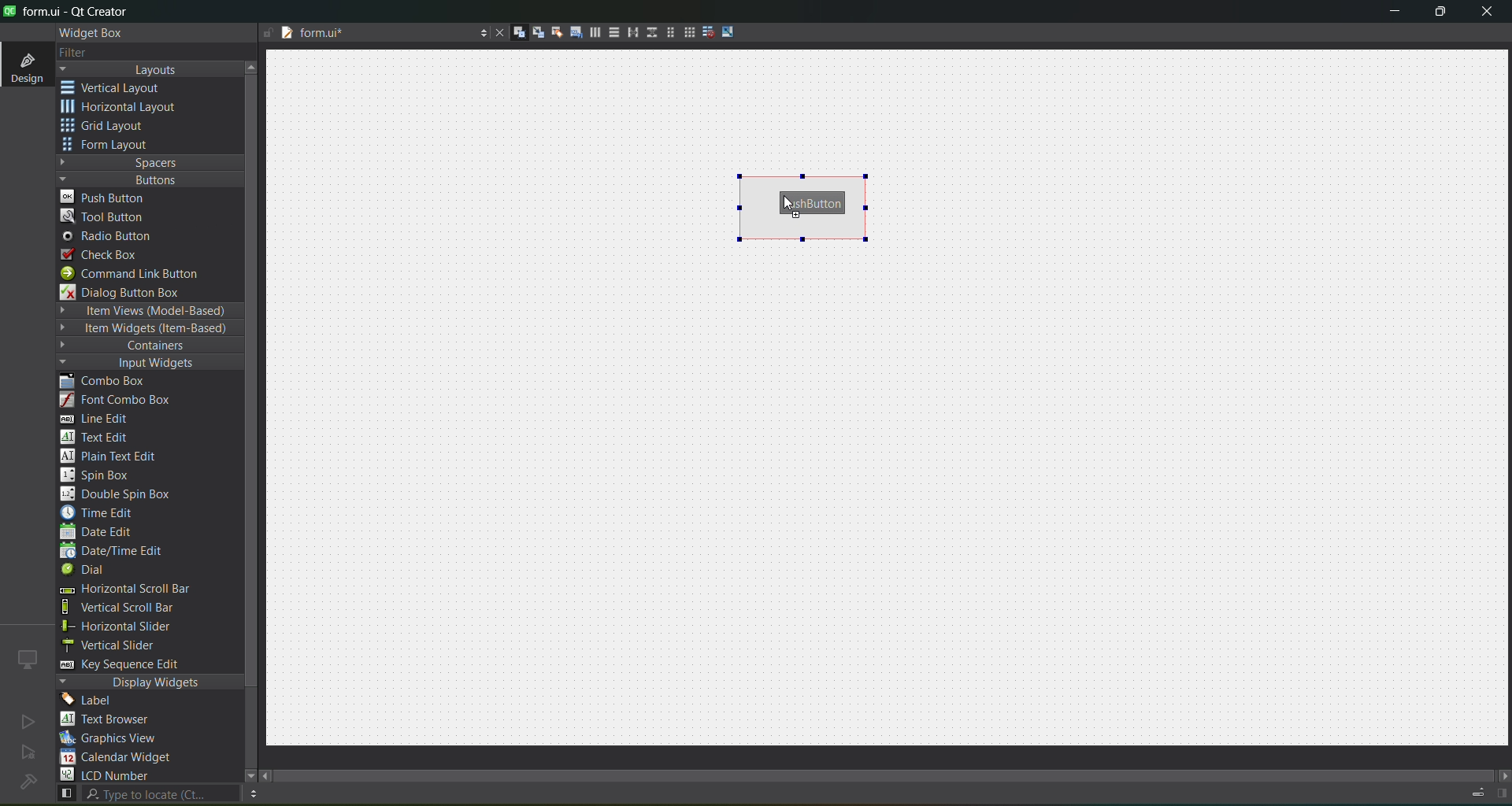 The width and height of the screenshot is (1512, 806). I want to click on command, so click(140, 275).